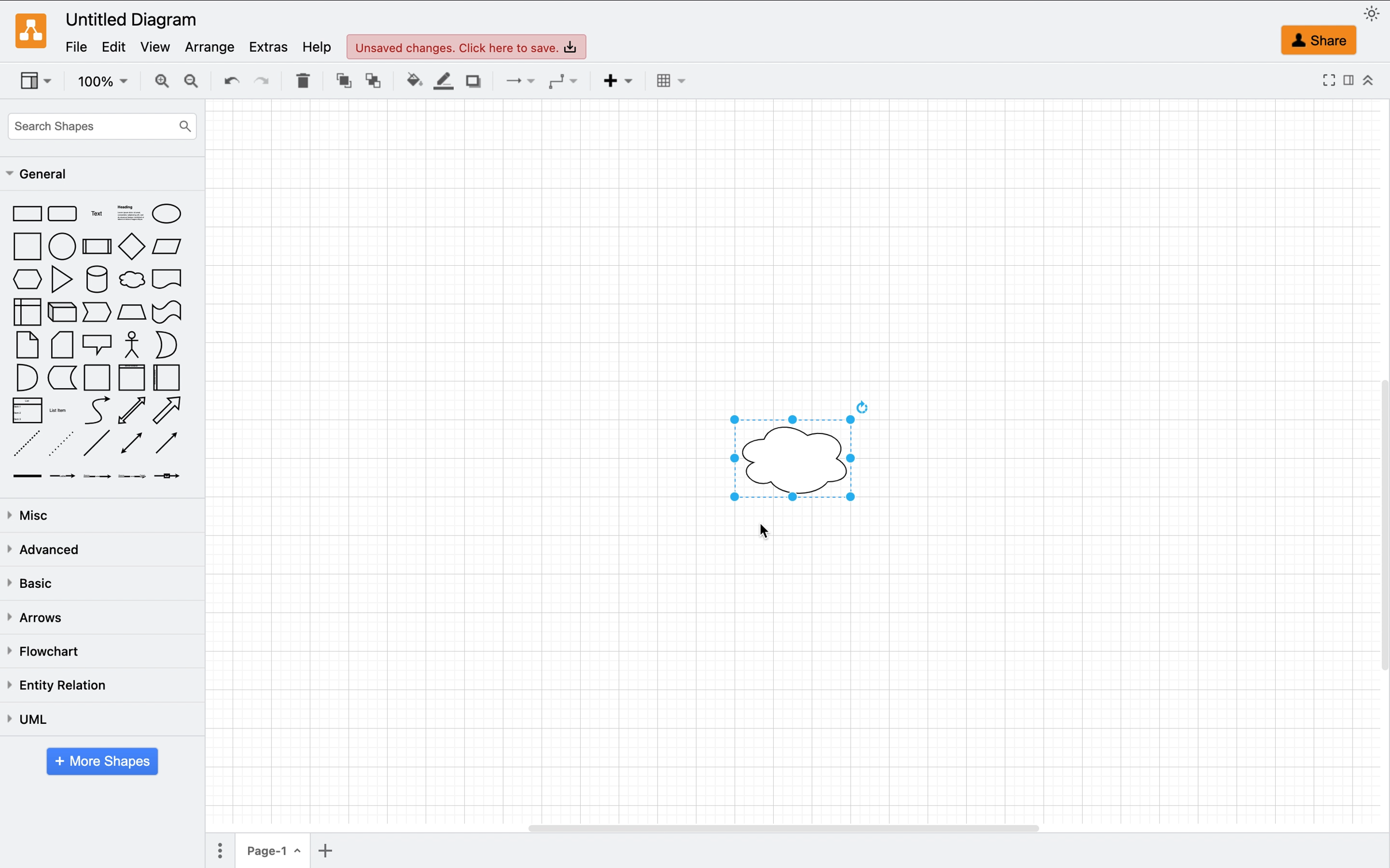  I want to click on entity relation, so click(60, 688).